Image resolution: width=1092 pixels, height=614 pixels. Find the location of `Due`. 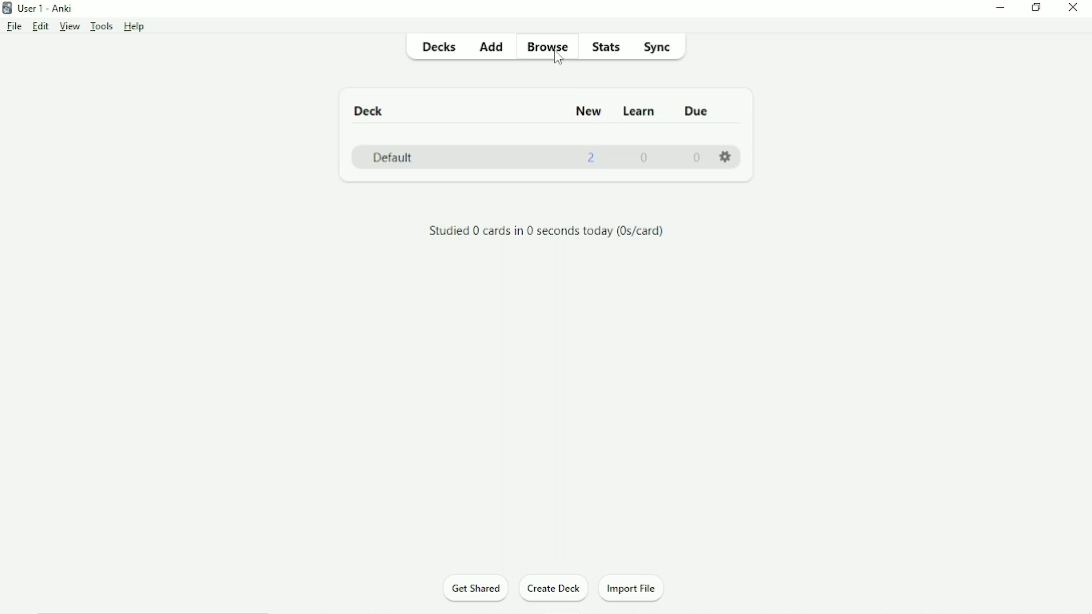

Due is located at coordinates (697, 111).